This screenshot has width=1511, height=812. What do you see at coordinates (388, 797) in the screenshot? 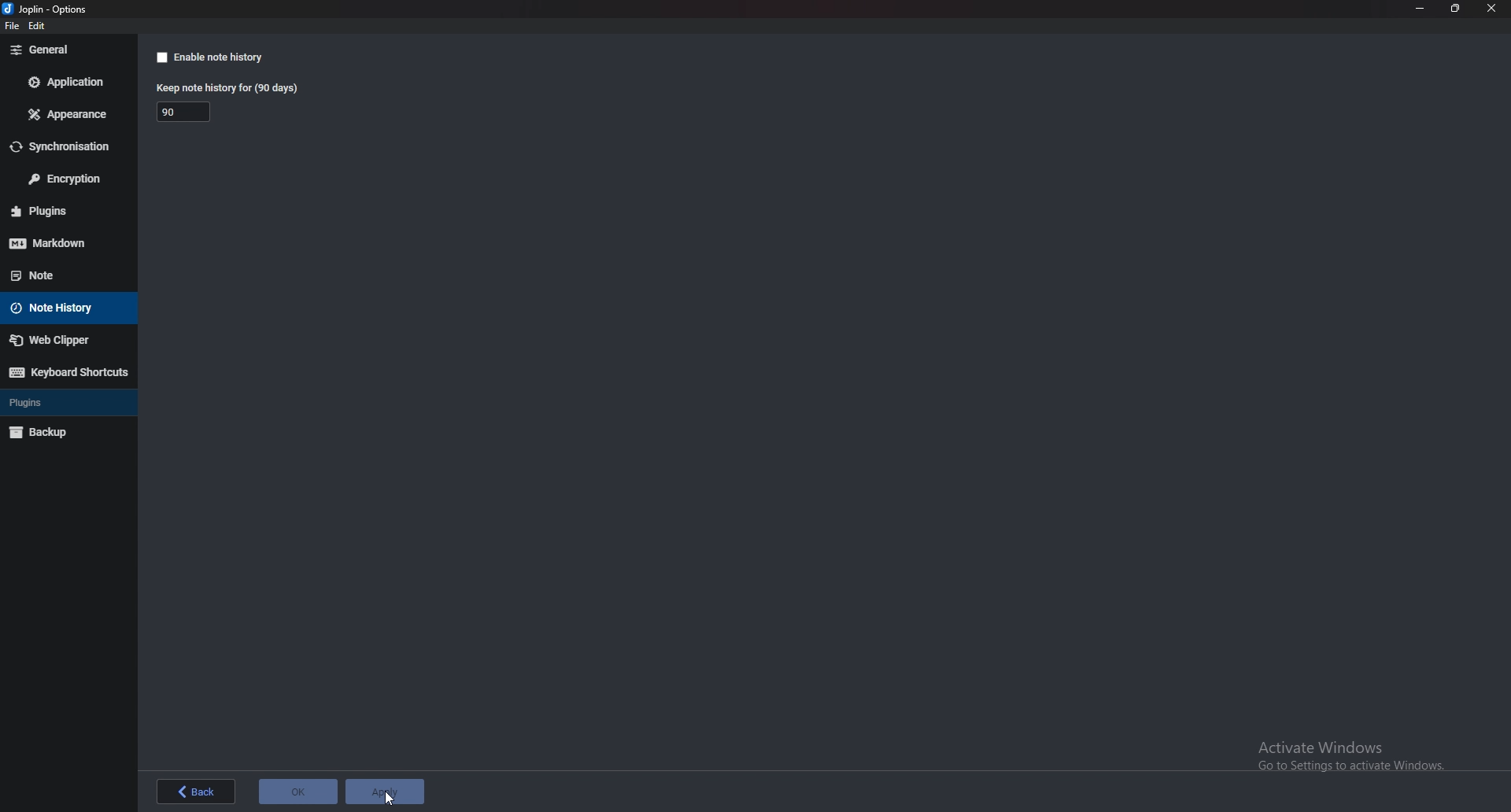
I see `cursor` at bounding box center [388, 797].